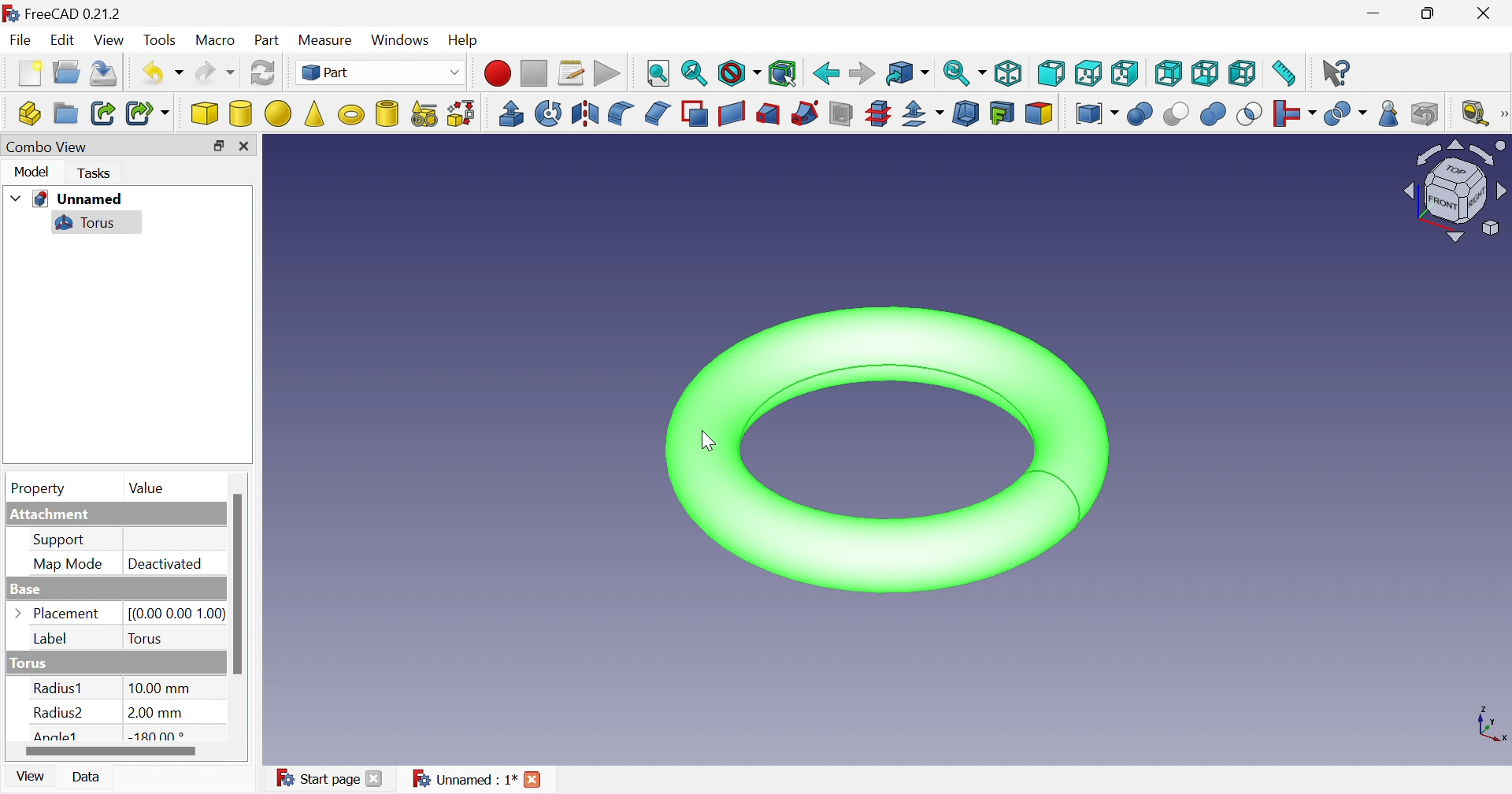  What do you see at coordinates (1336, 72) in the screenshot?
I see `What's this?` at bounding box center [1336, 72].